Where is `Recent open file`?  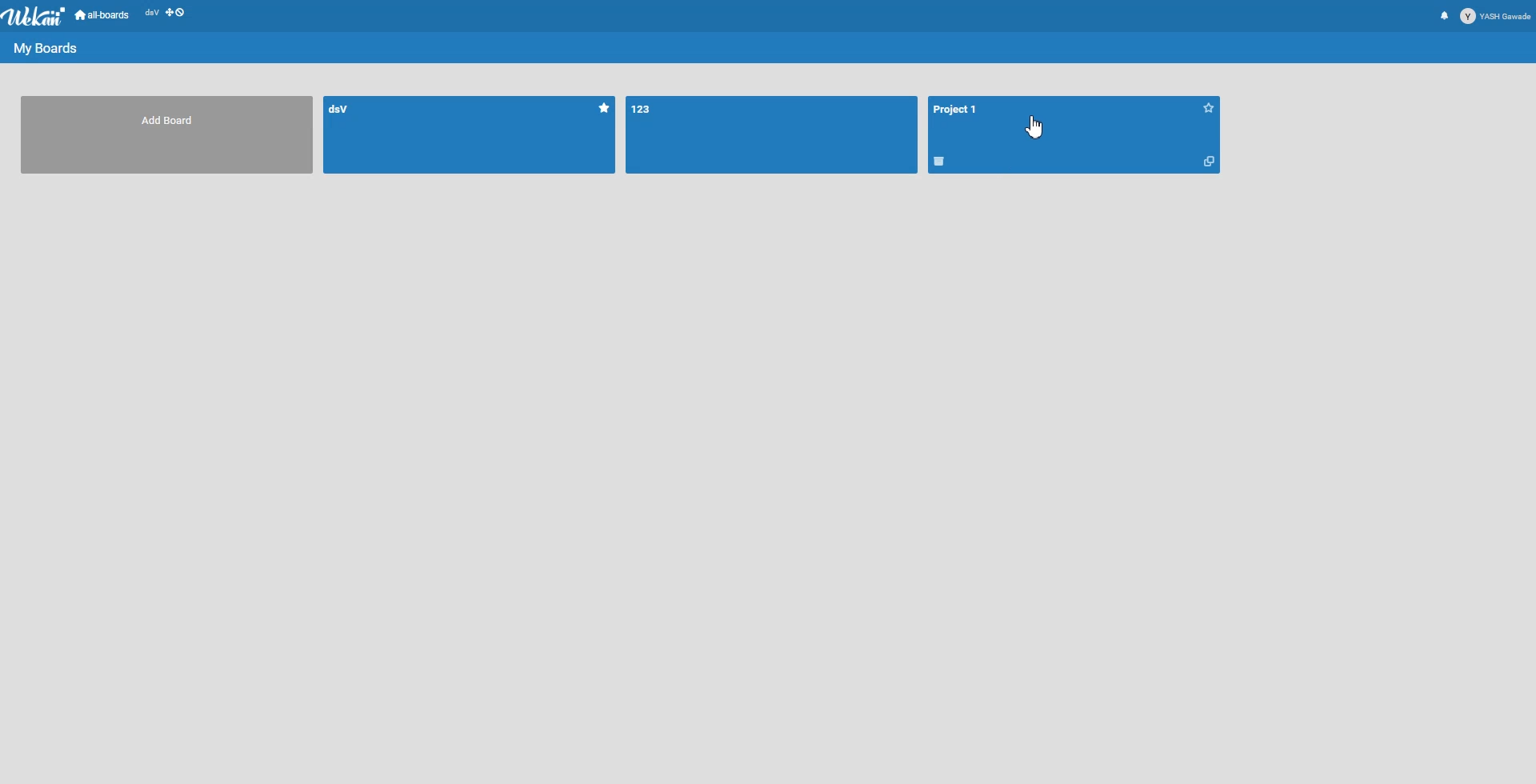 Recent open file is located at coordinates (151, 15).